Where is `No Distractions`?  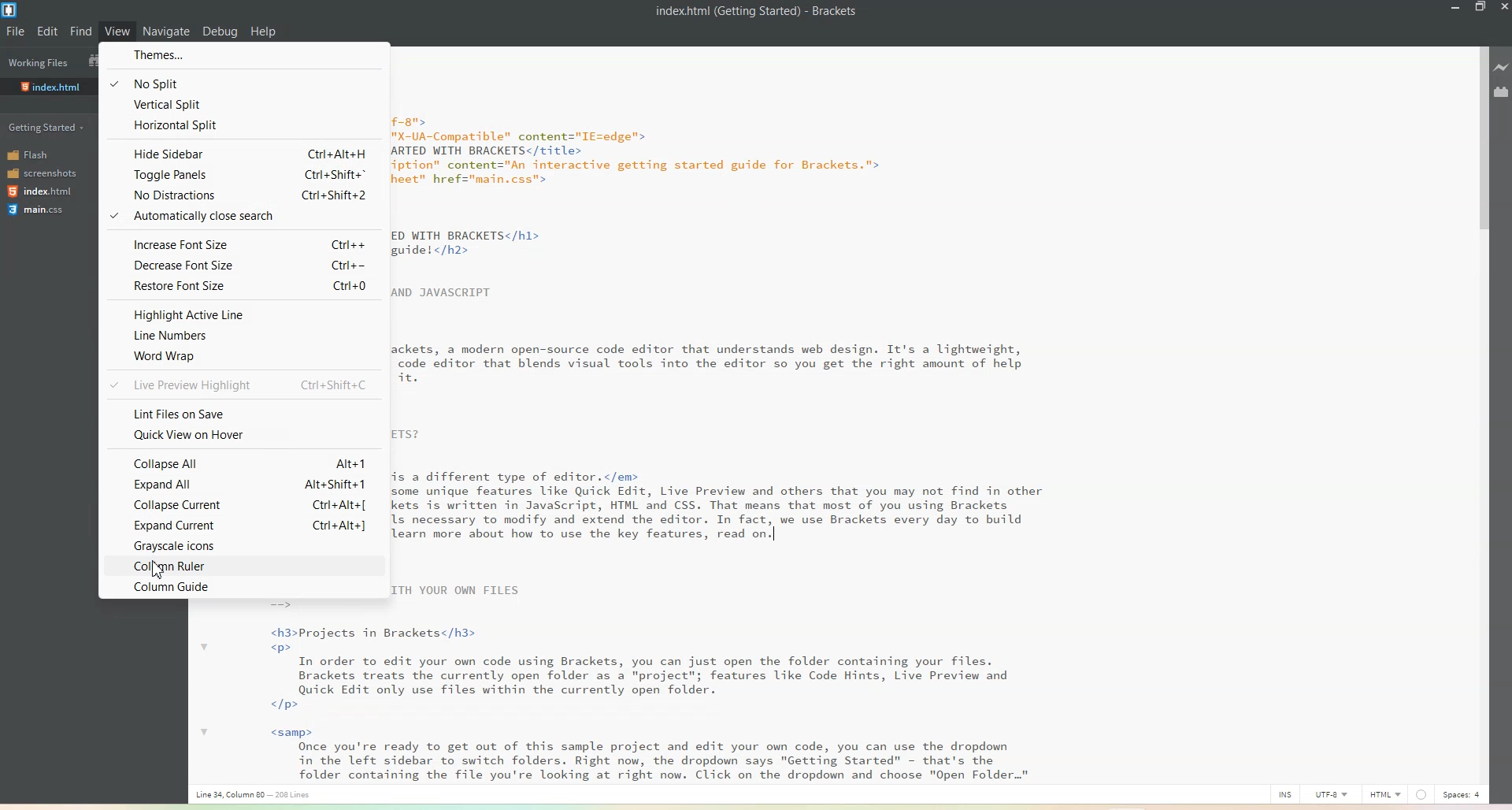 No Distractions is located at coordinates (242, 193).